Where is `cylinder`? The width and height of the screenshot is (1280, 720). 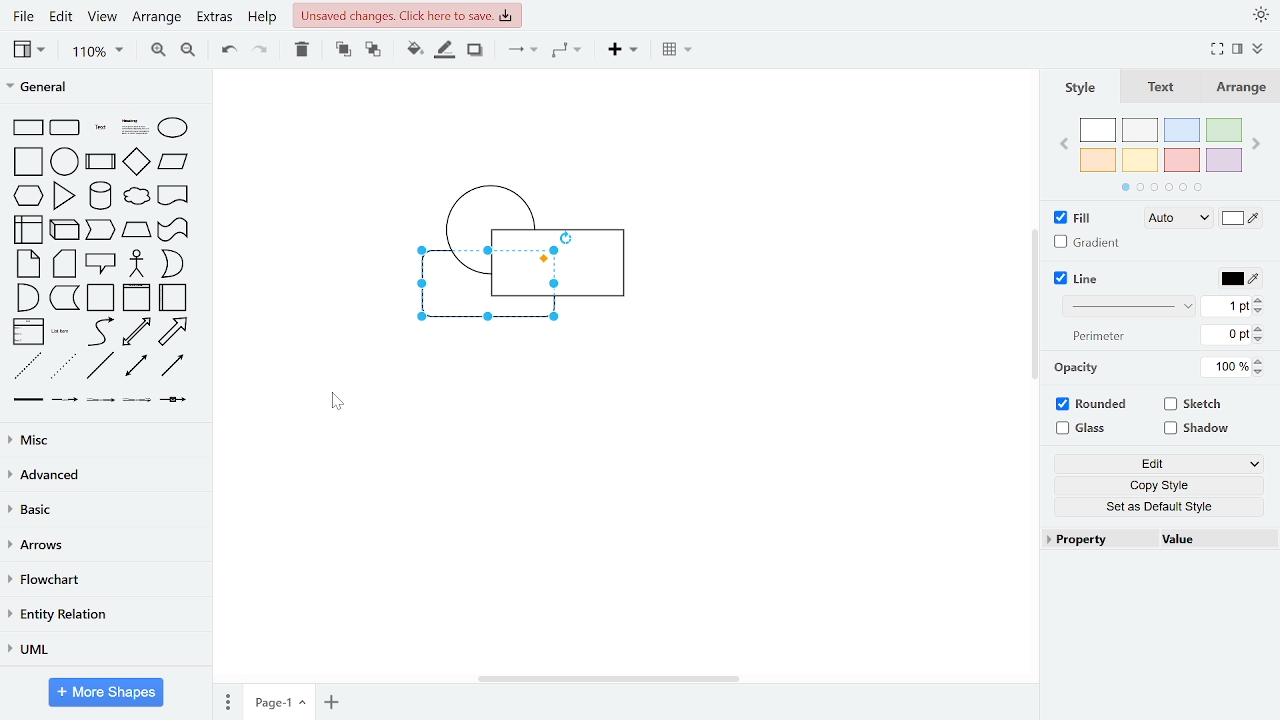
cylinder is located at coordinates (100, 197).